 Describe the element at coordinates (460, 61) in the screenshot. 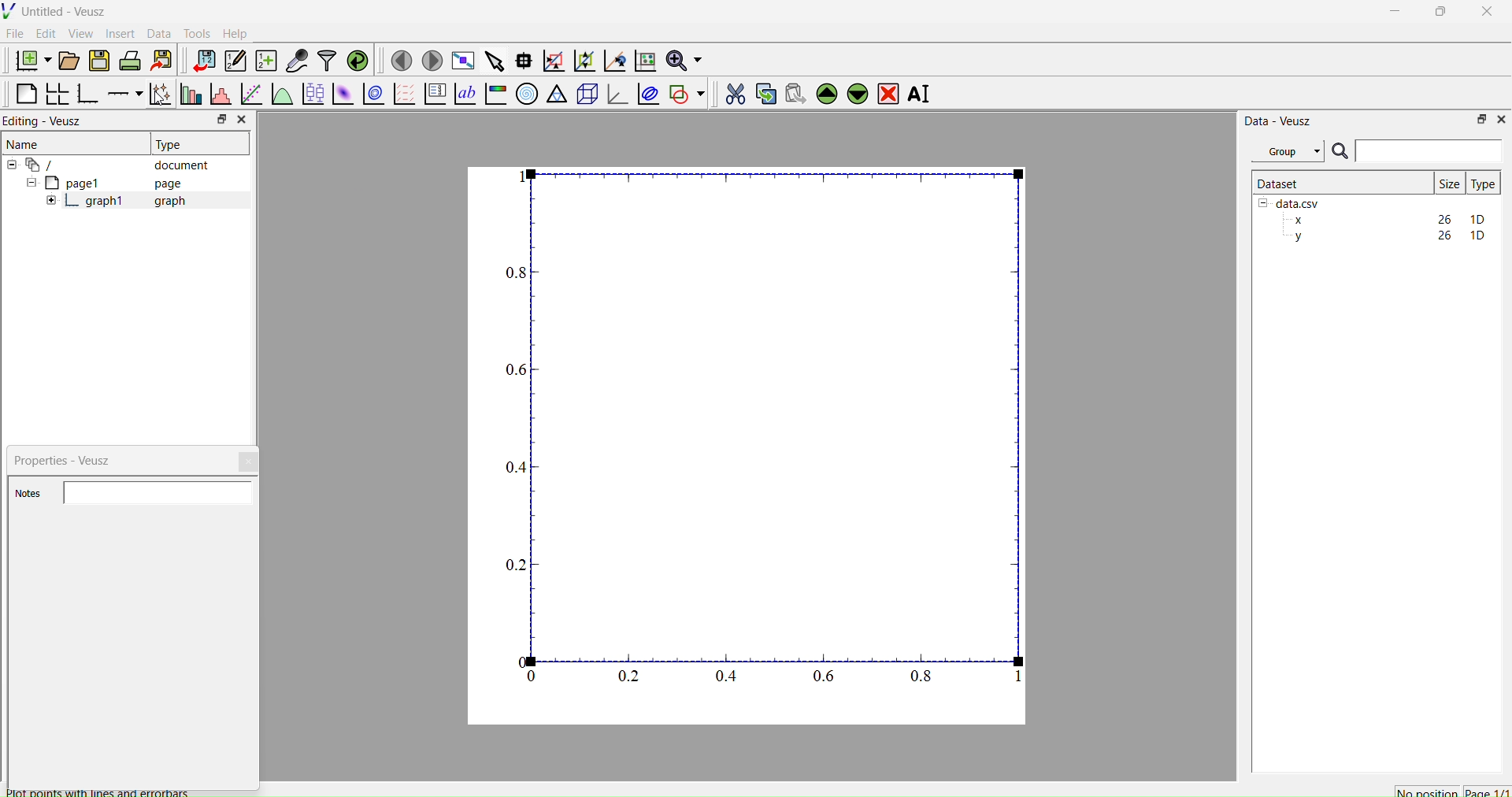

I see `Full screen` at that location.